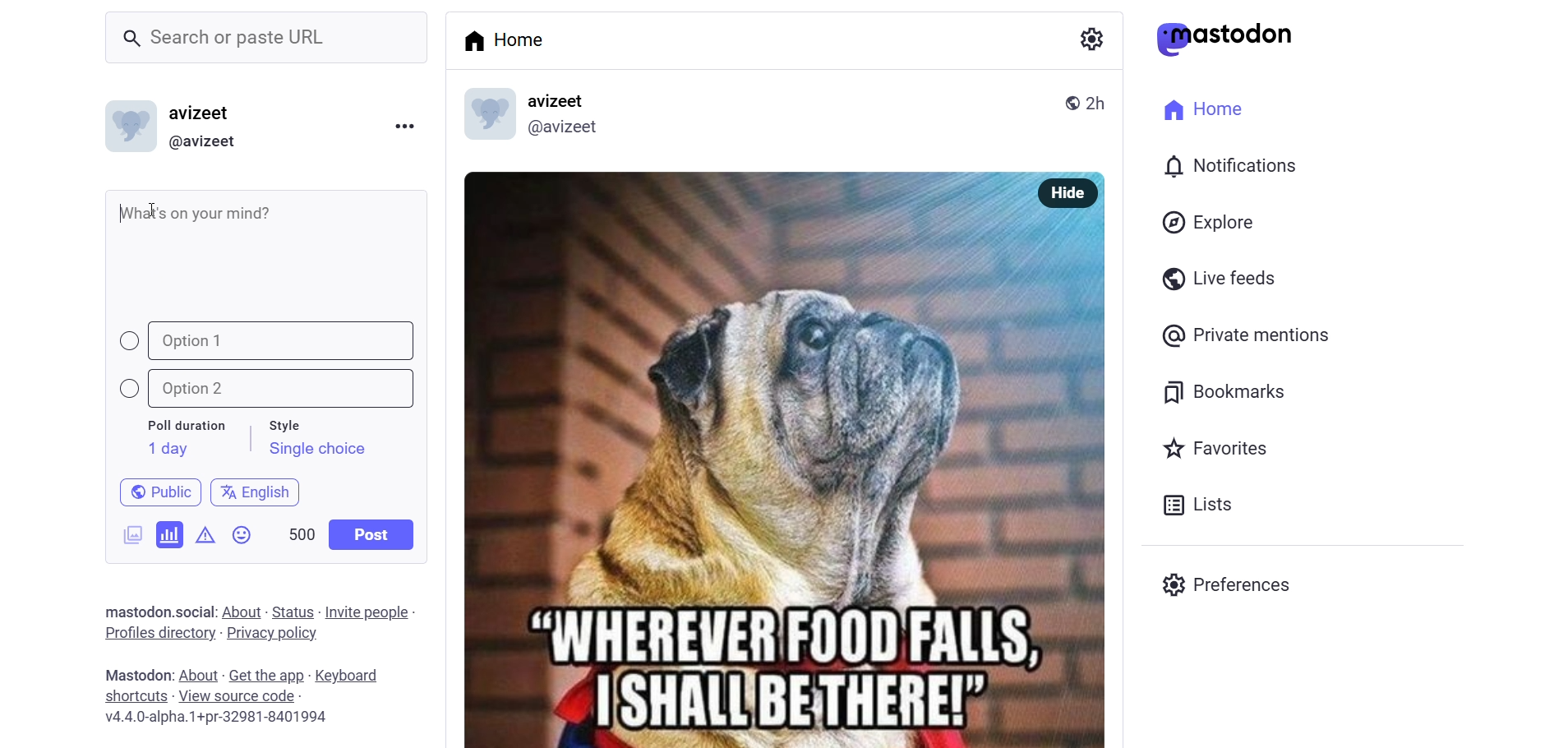 The width and height of the screenshot is (1568, 748). Describe the element at coordinates (170, 533) in the screenshot. I see `poll` at that location.